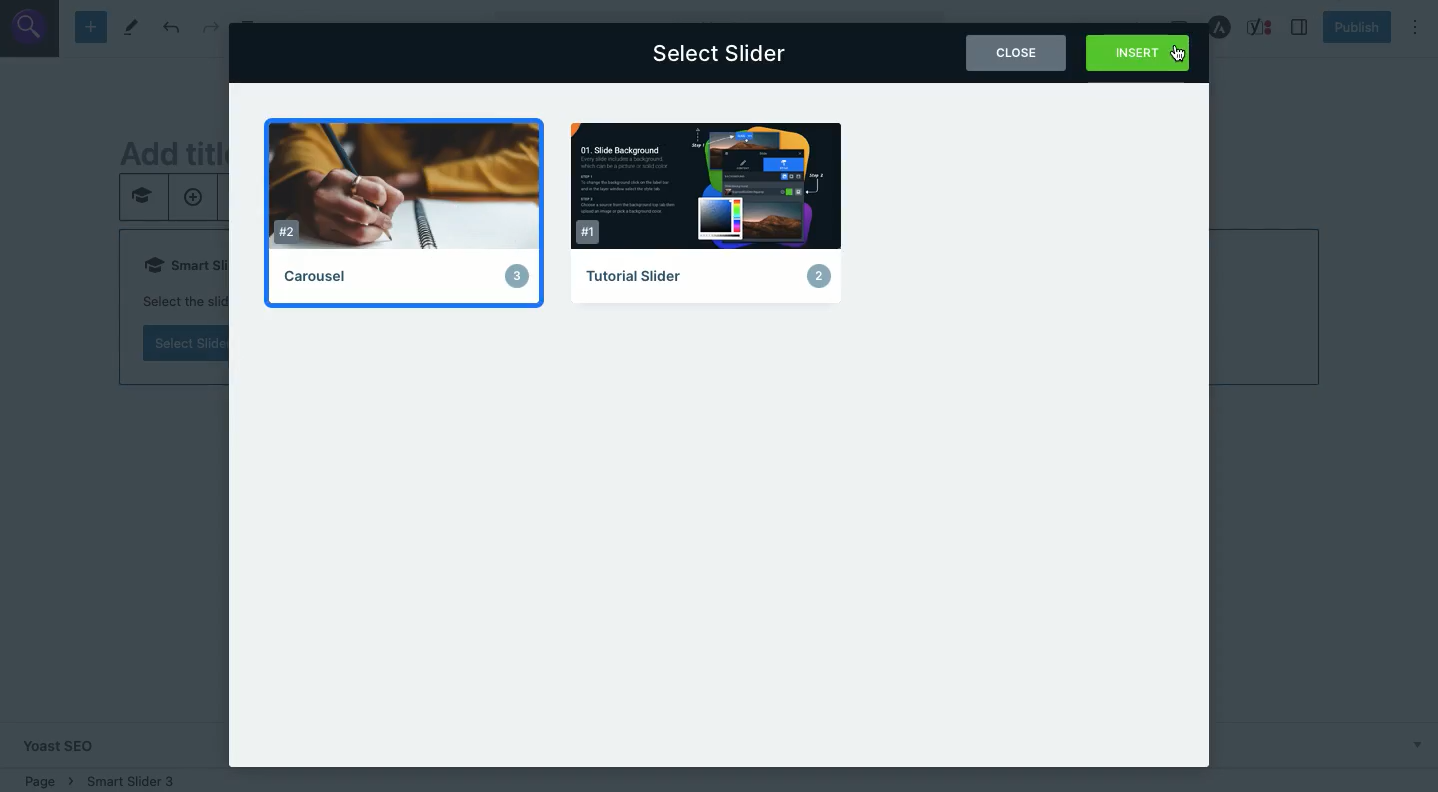 Image resolution: width=1438 pixels, height=792 pixels. Describe the element at coordinates (1357, 29) in the screenshot. I see `Publish` at that location.